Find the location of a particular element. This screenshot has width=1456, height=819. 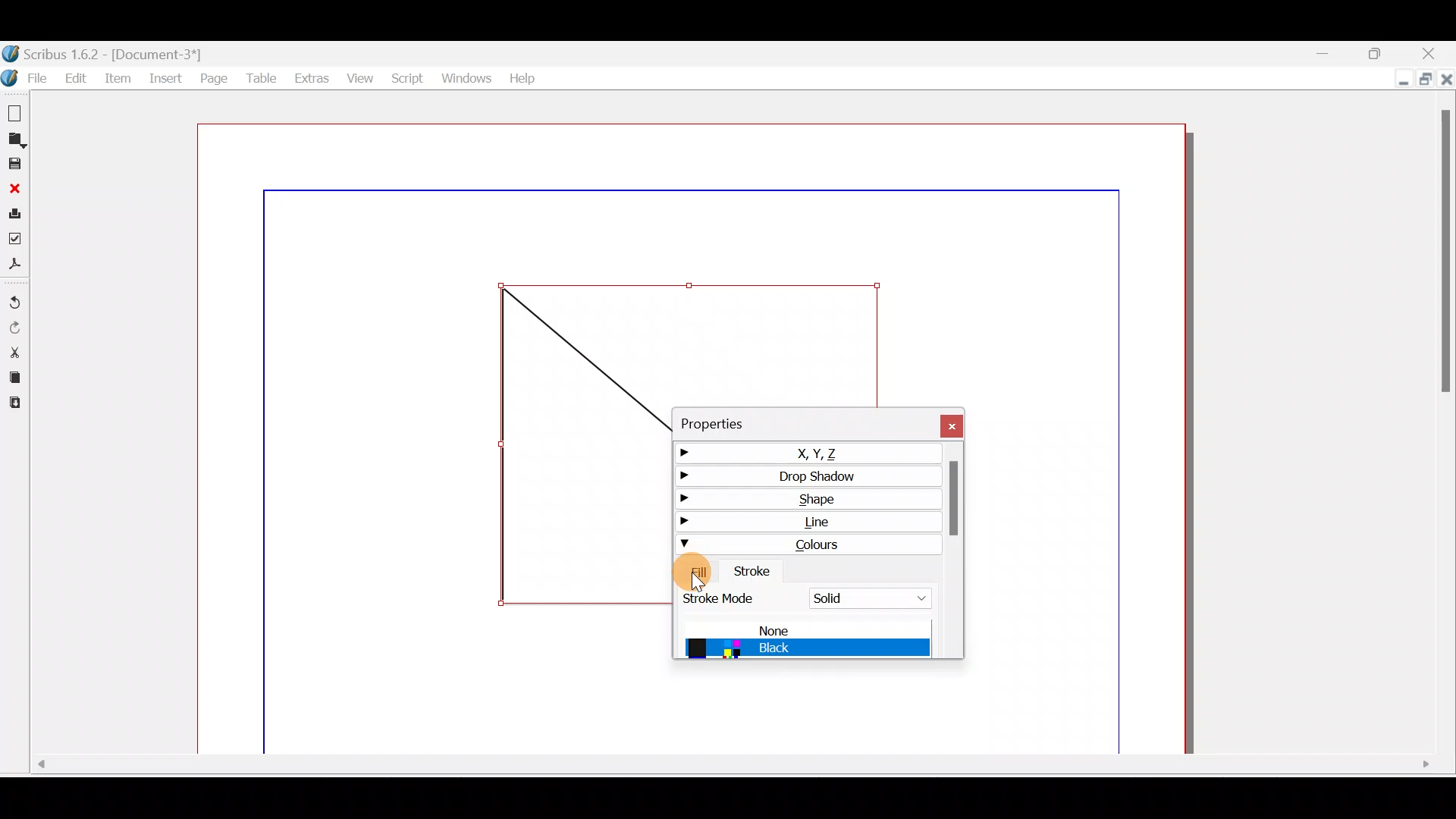

Maximise is located at coordinates (1382, 52).